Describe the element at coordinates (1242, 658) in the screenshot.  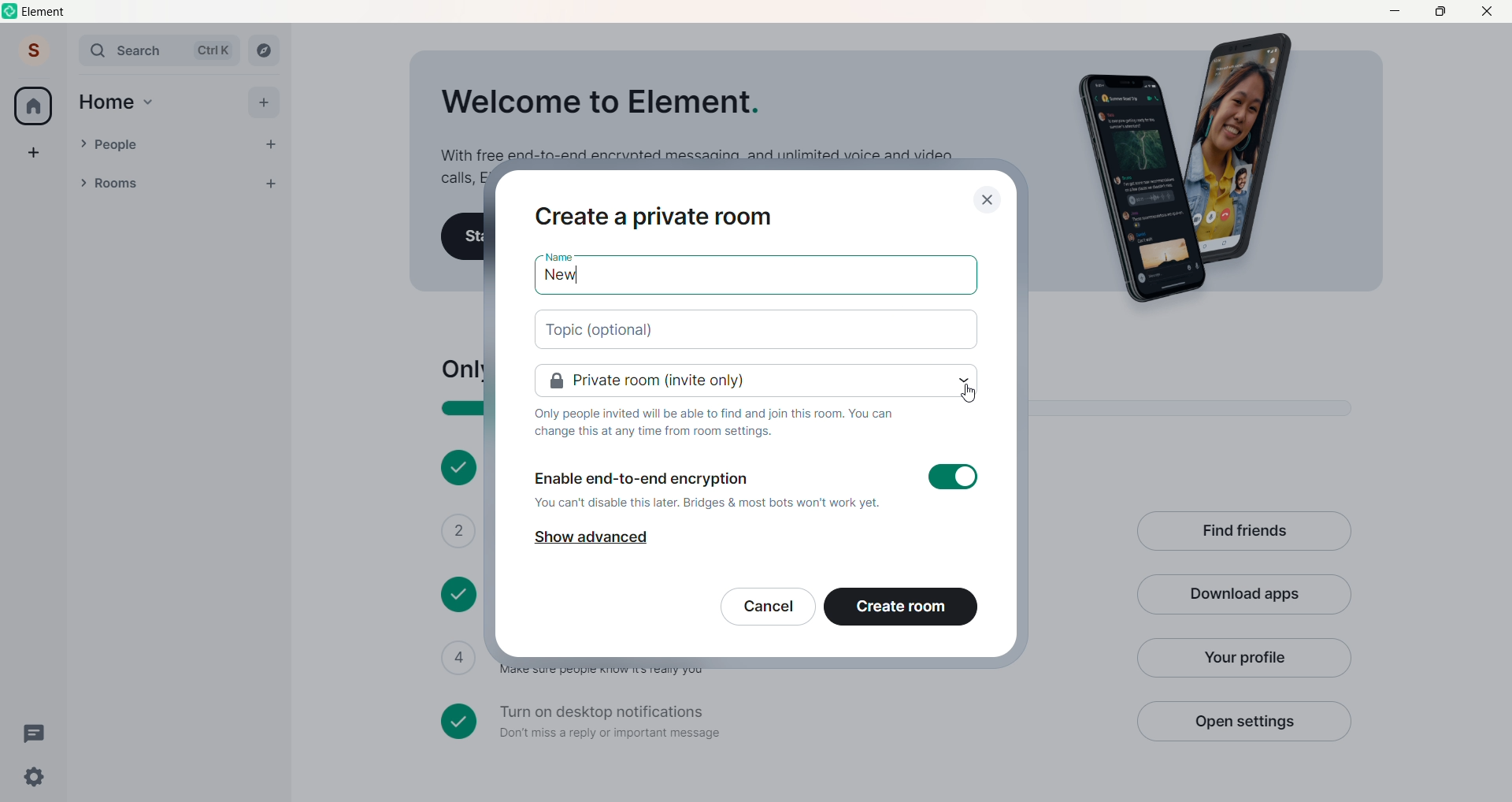
I see `Your Profile` at that location.